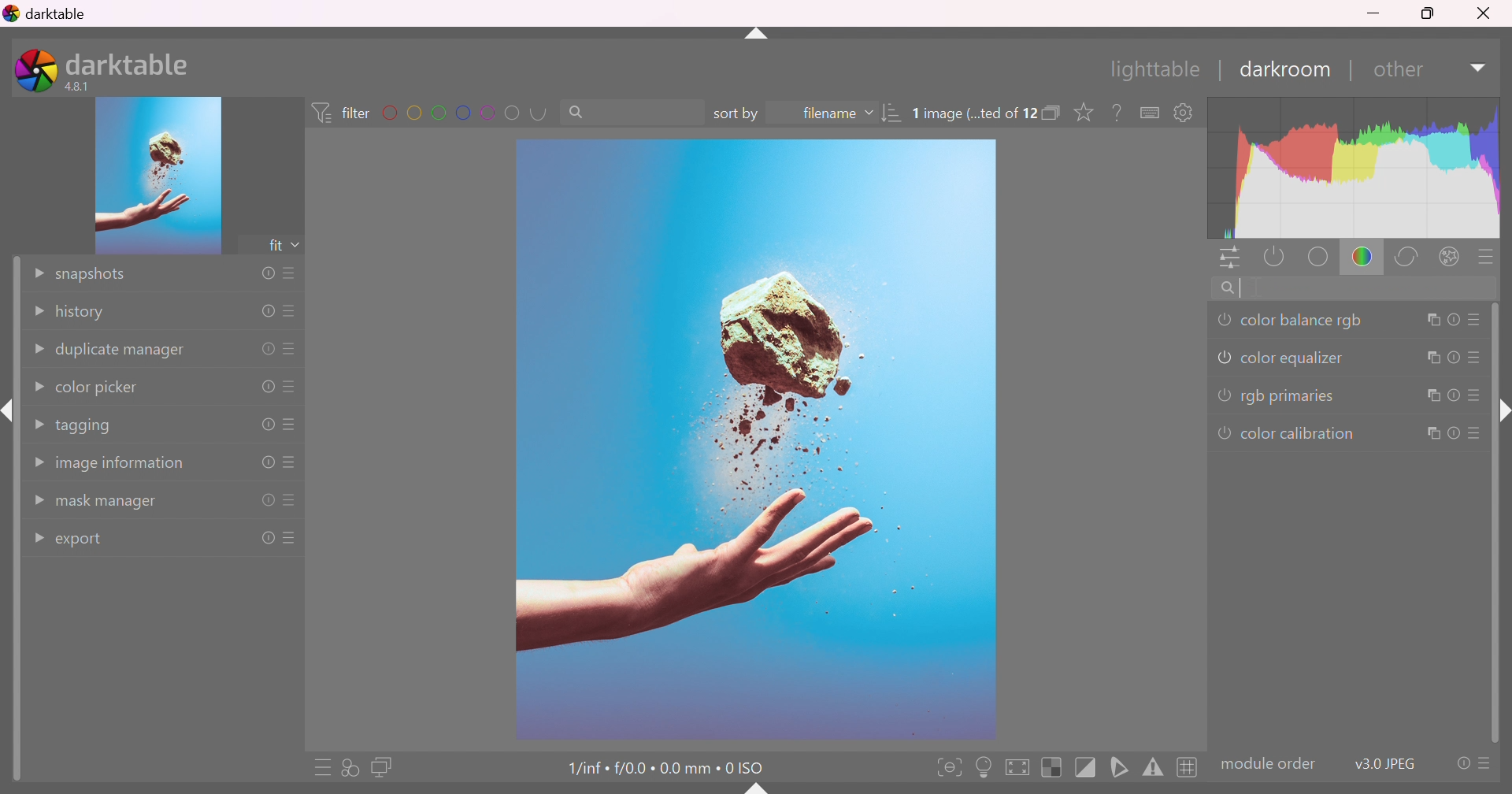  Describe the element at coordinates (299, 245) in the screenshot. I see `drop down` at that location.